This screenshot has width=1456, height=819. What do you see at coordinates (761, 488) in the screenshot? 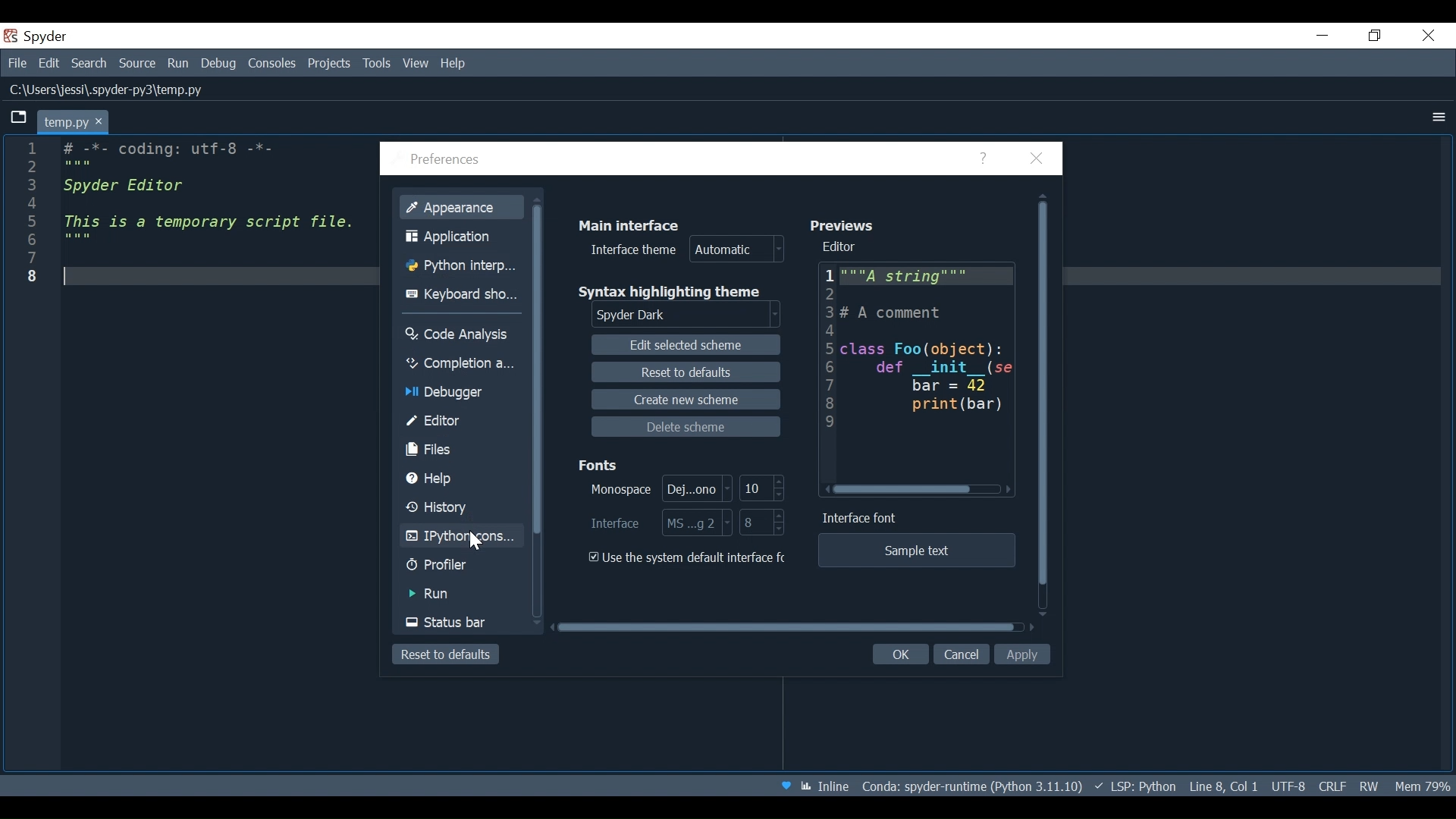
I see `Select Monospace Font Size` at bounding box center [761, 488].